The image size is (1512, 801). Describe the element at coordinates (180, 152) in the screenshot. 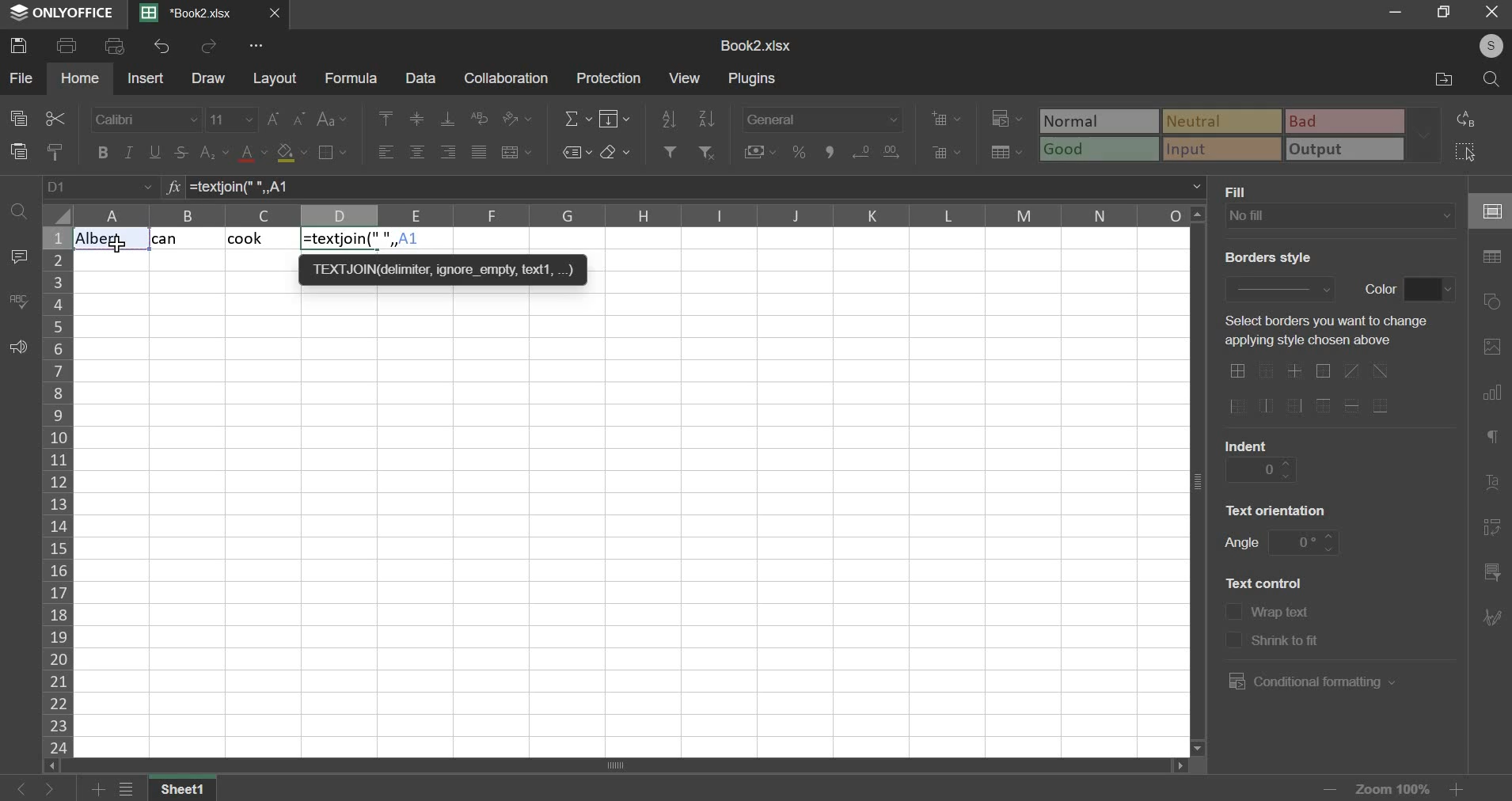

I see `strikethrough` at that location.